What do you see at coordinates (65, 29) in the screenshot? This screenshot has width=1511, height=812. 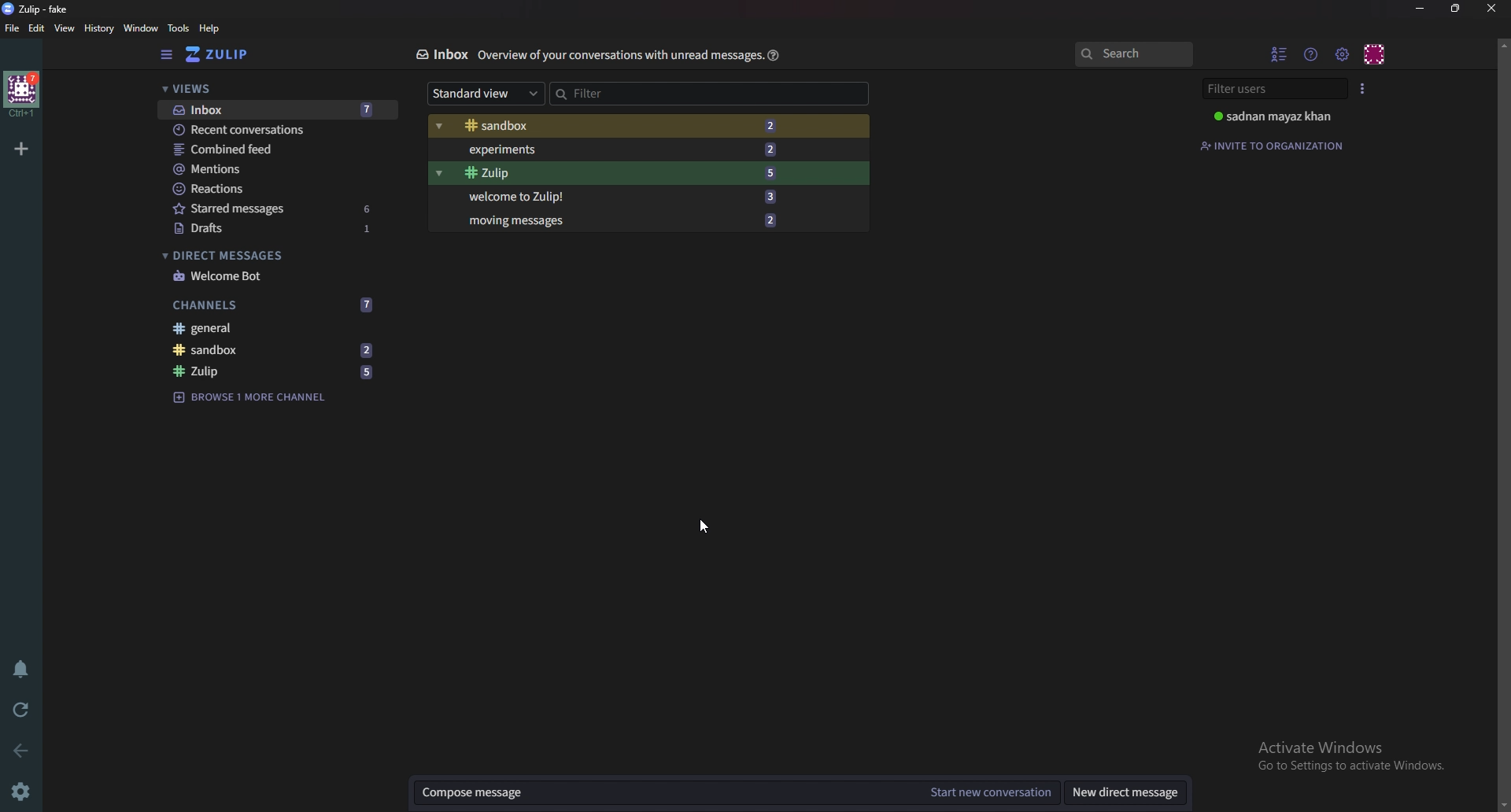 I see `view` at bounding box center [65, 29].